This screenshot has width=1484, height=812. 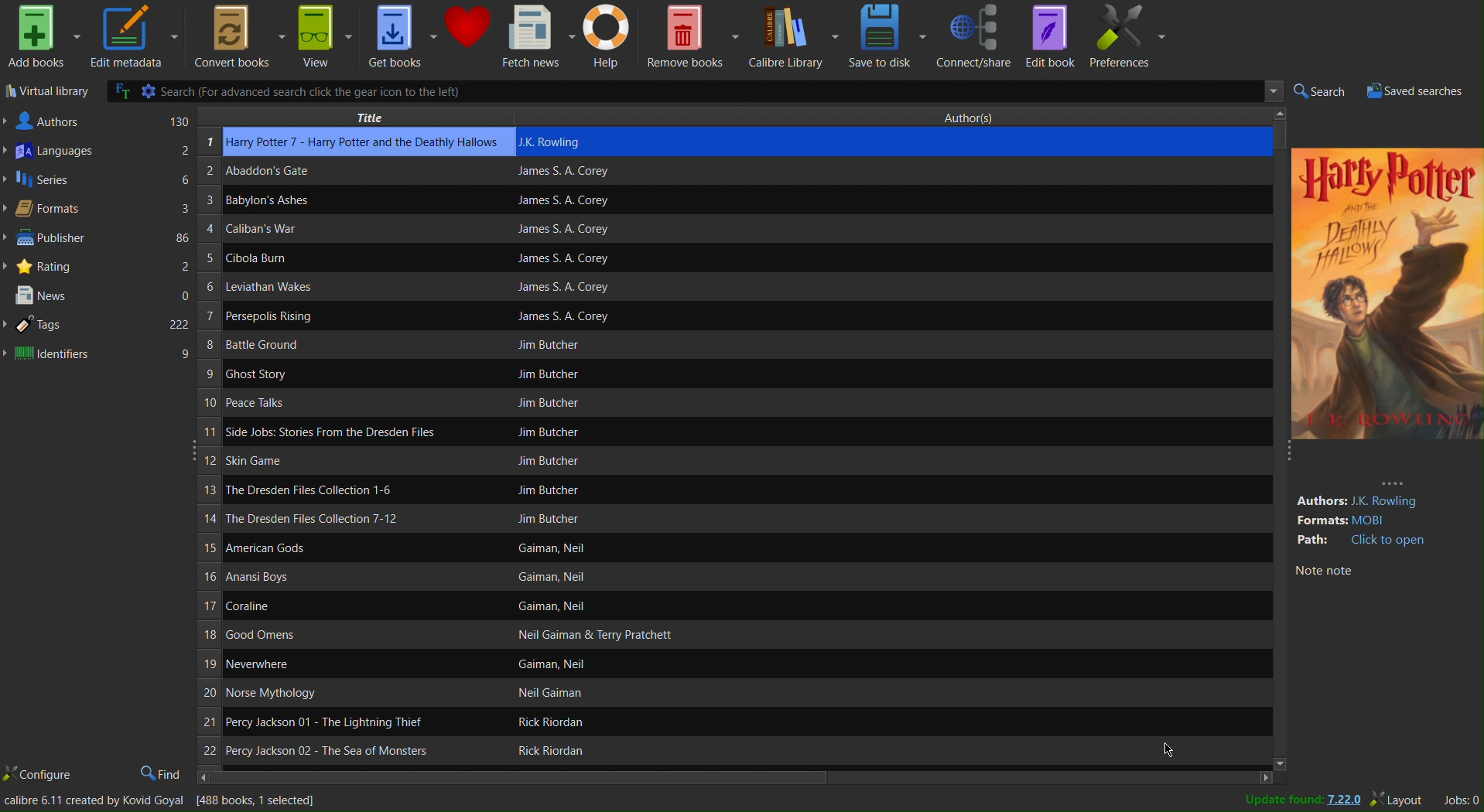 What do you see at coordinates (99, 325) in the screenshot?
I see `Tags` at bounding box center [99, 325].